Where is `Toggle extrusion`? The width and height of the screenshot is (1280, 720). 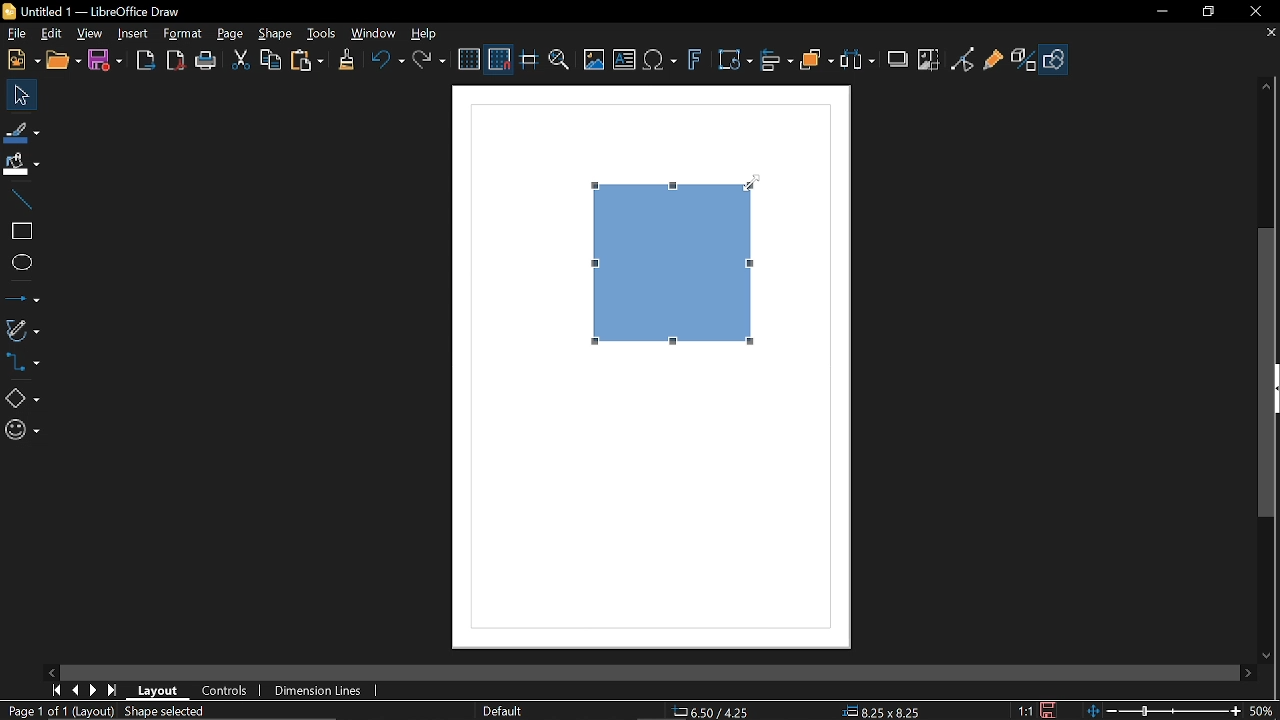
Toggle extrusion is located at coordinates (1023, 62).